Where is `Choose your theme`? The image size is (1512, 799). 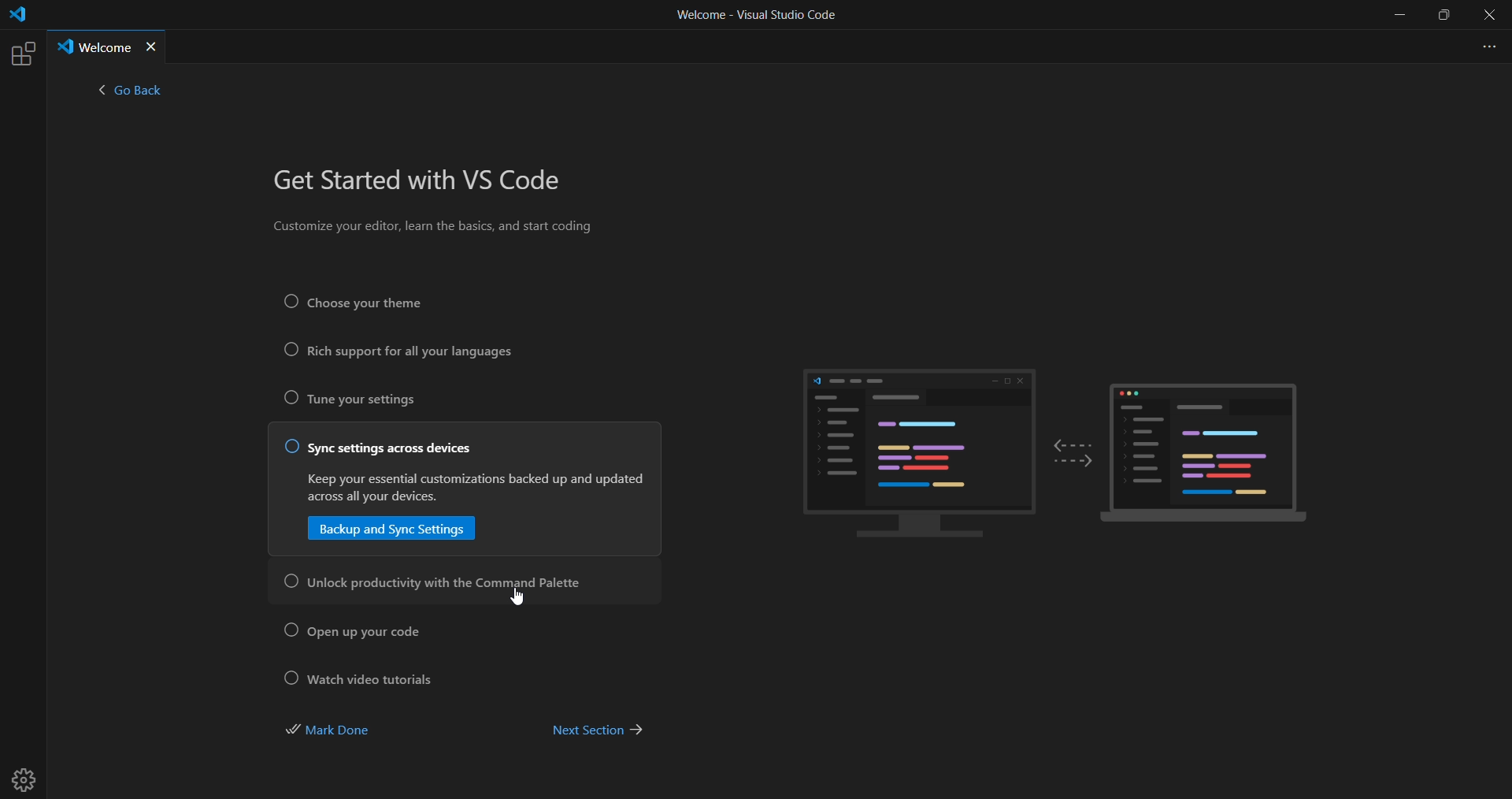
Choose your theme is located at coordinates (375, 302).